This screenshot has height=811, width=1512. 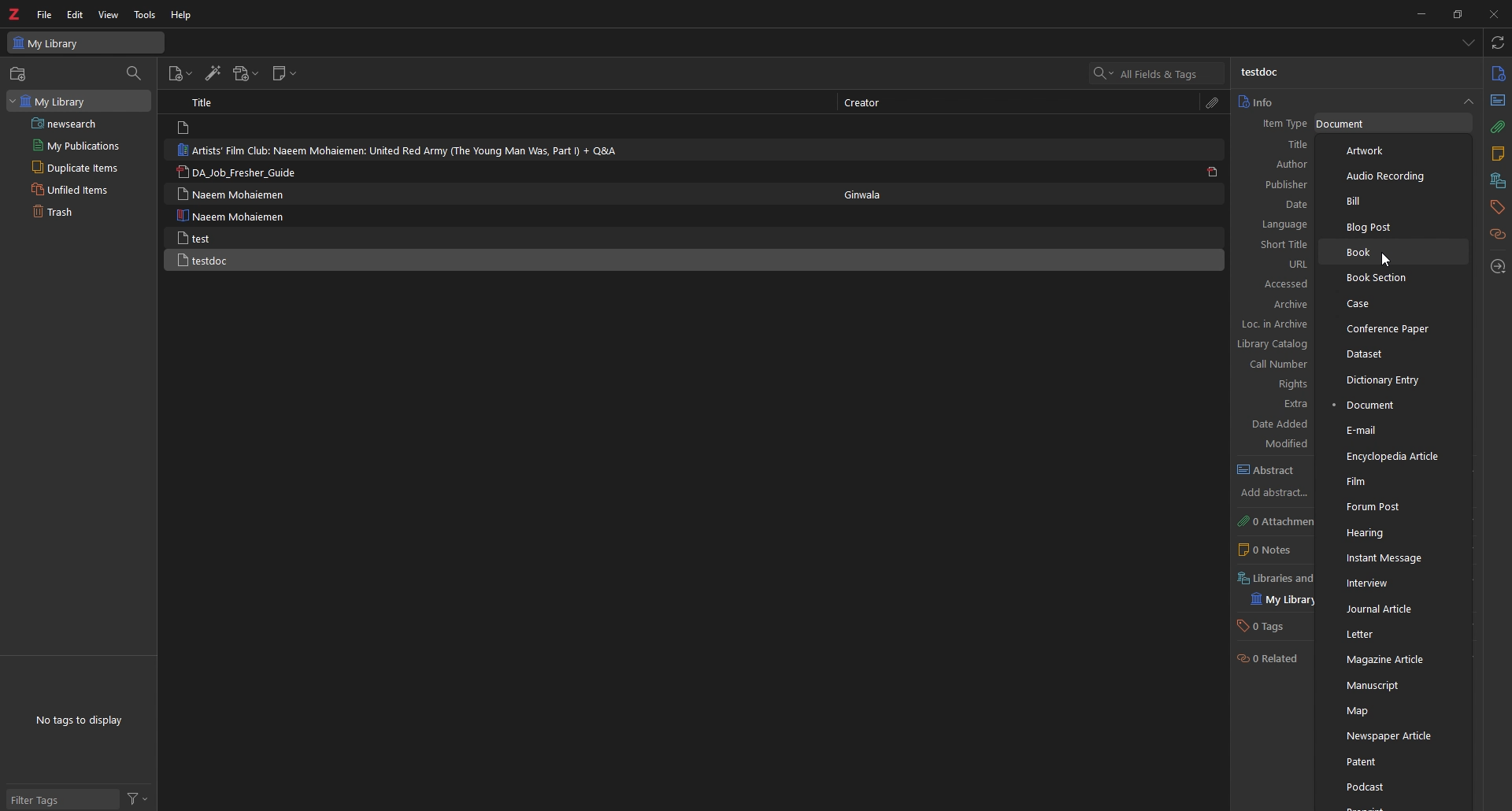 I want to click on conference paper, so click(x=1395, y=328).